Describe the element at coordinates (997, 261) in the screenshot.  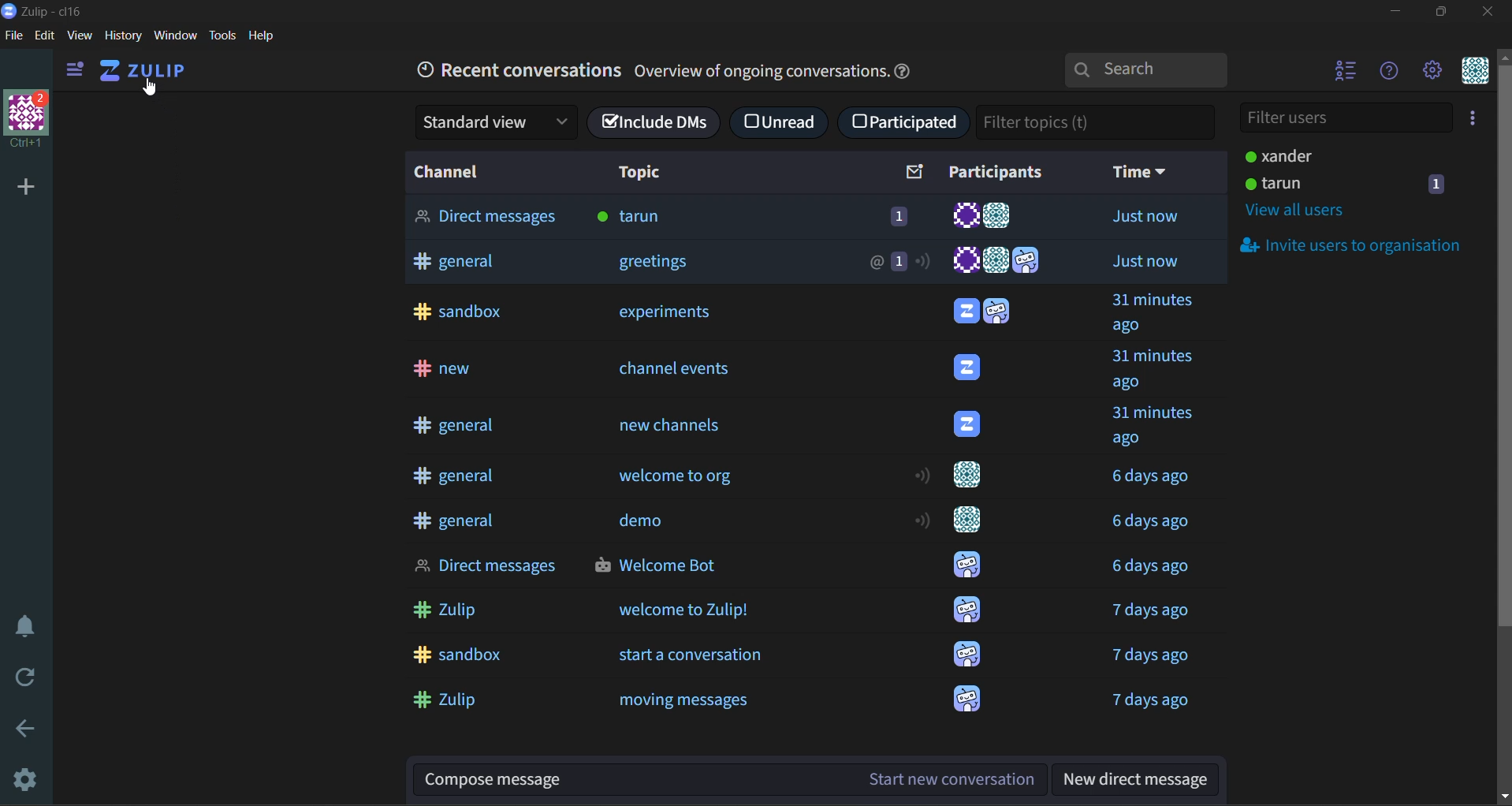
I see `Users` at that location.